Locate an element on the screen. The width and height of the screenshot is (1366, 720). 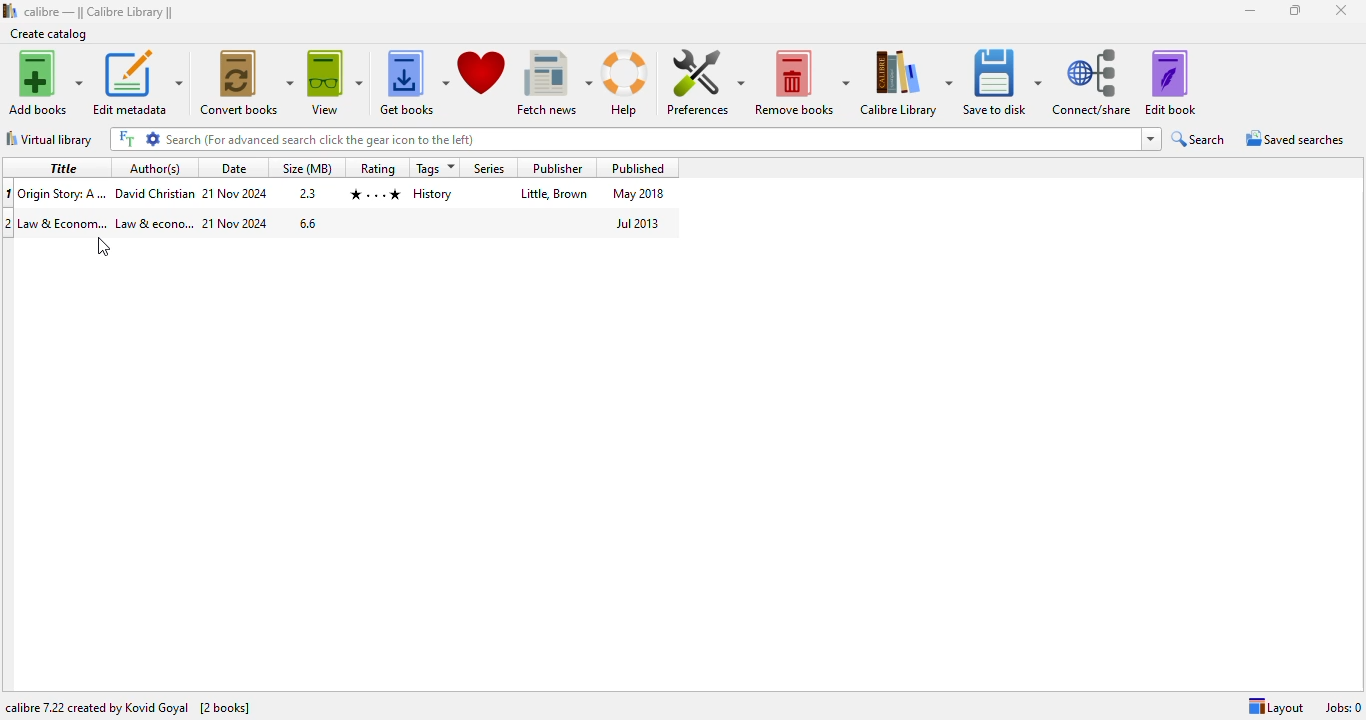
[2 books] is located at coordinates (225, 708).